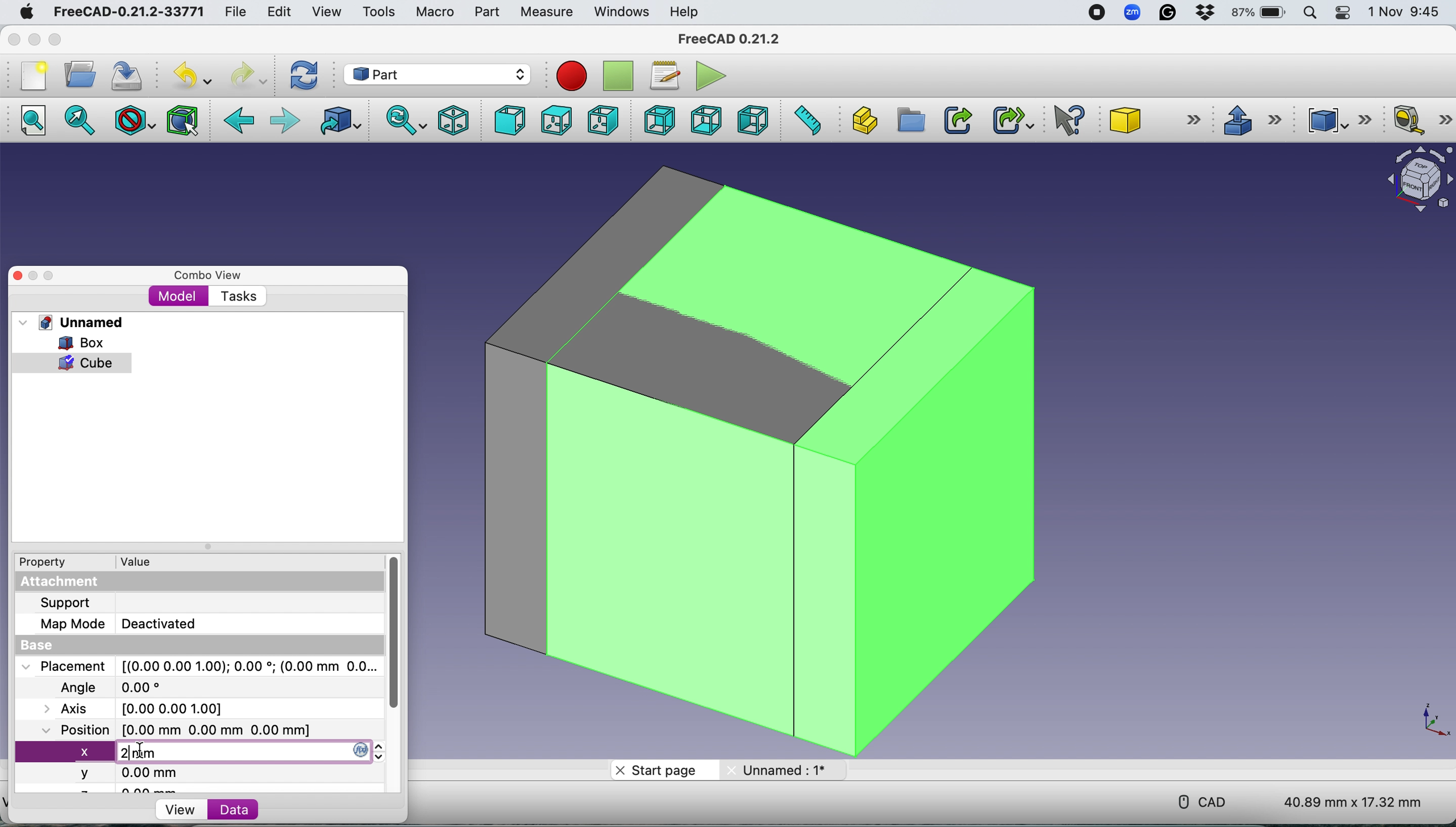 This screenshot has width=1456, height=827. What do you see at coordinates (1133, 14) in the screenshot?
I see `Zoom` at bounding box center [1133, 14].